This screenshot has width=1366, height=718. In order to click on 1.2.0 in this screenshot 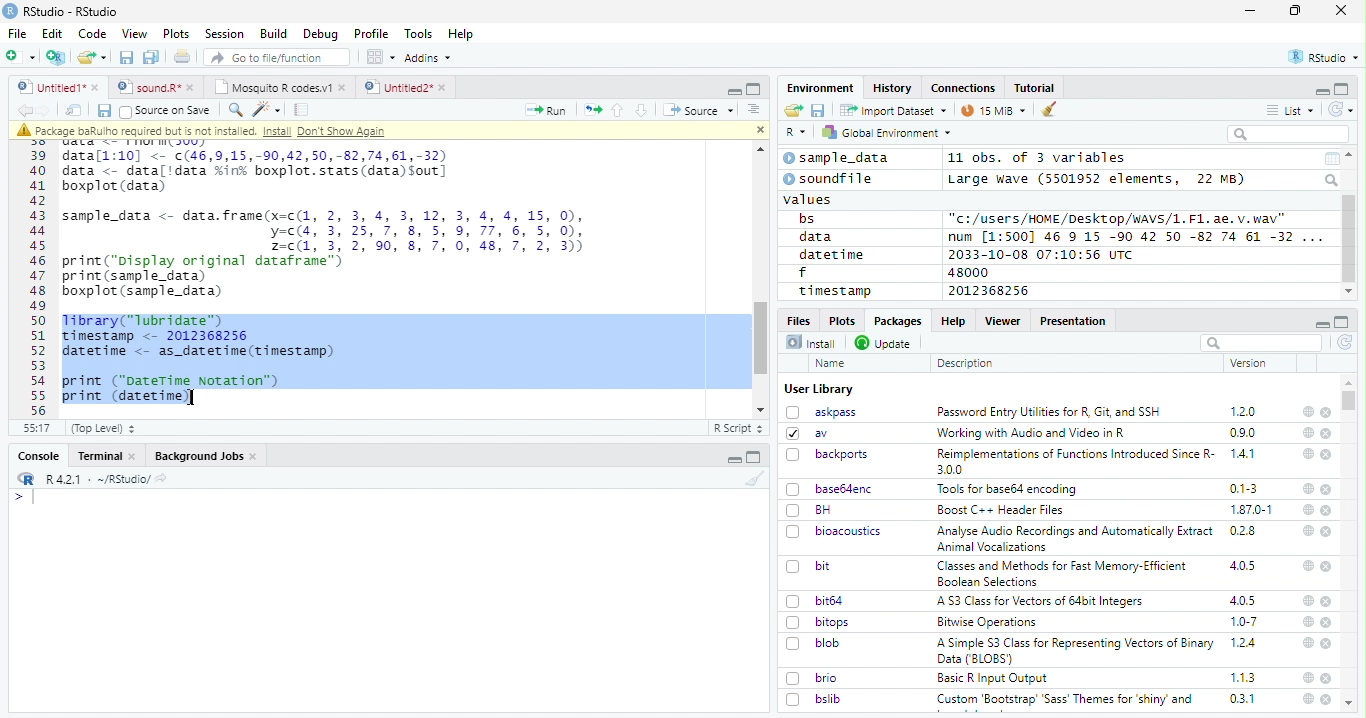, I will do `click(1245, 411)`.